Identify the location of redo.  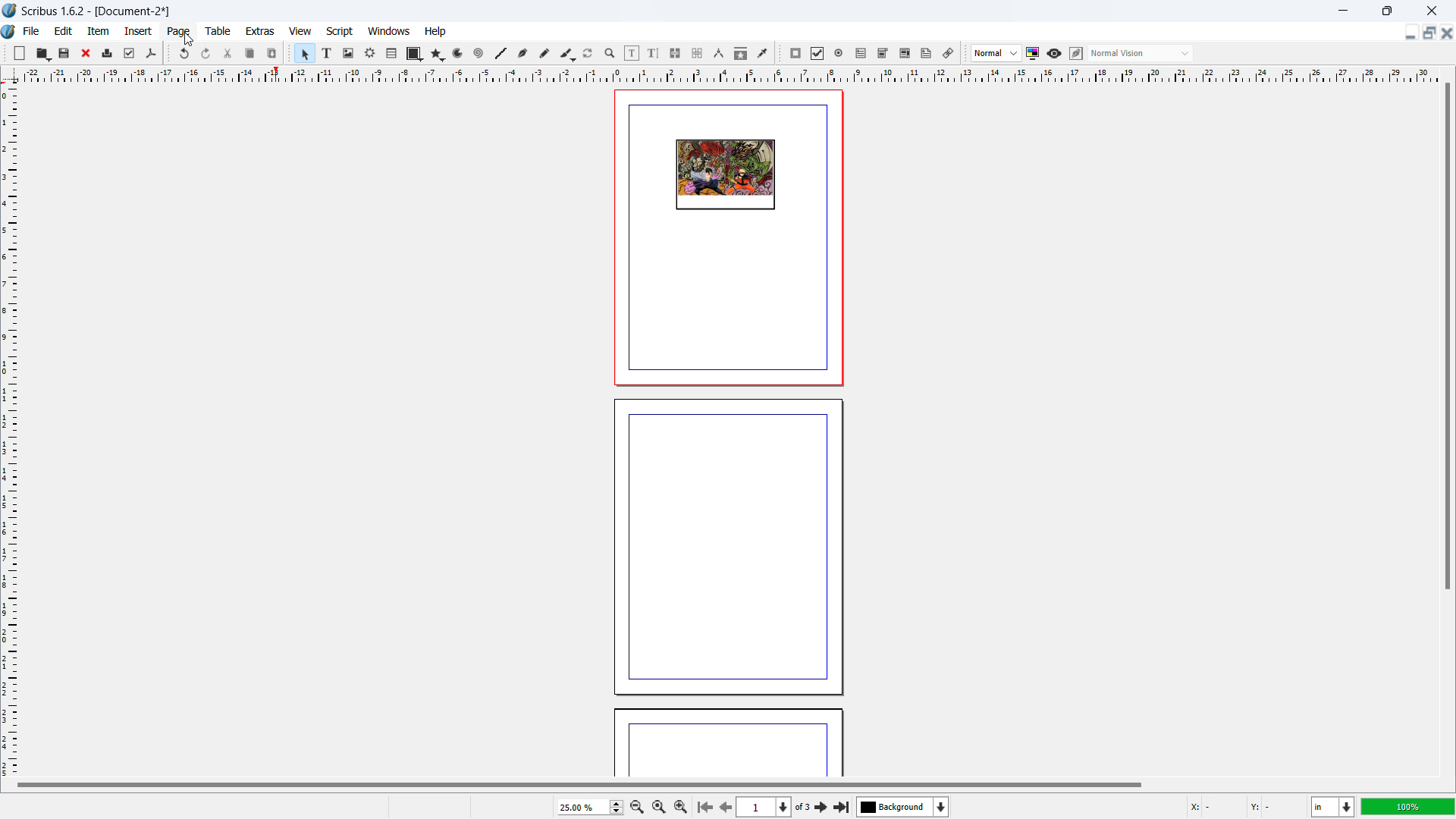
(206, 54).